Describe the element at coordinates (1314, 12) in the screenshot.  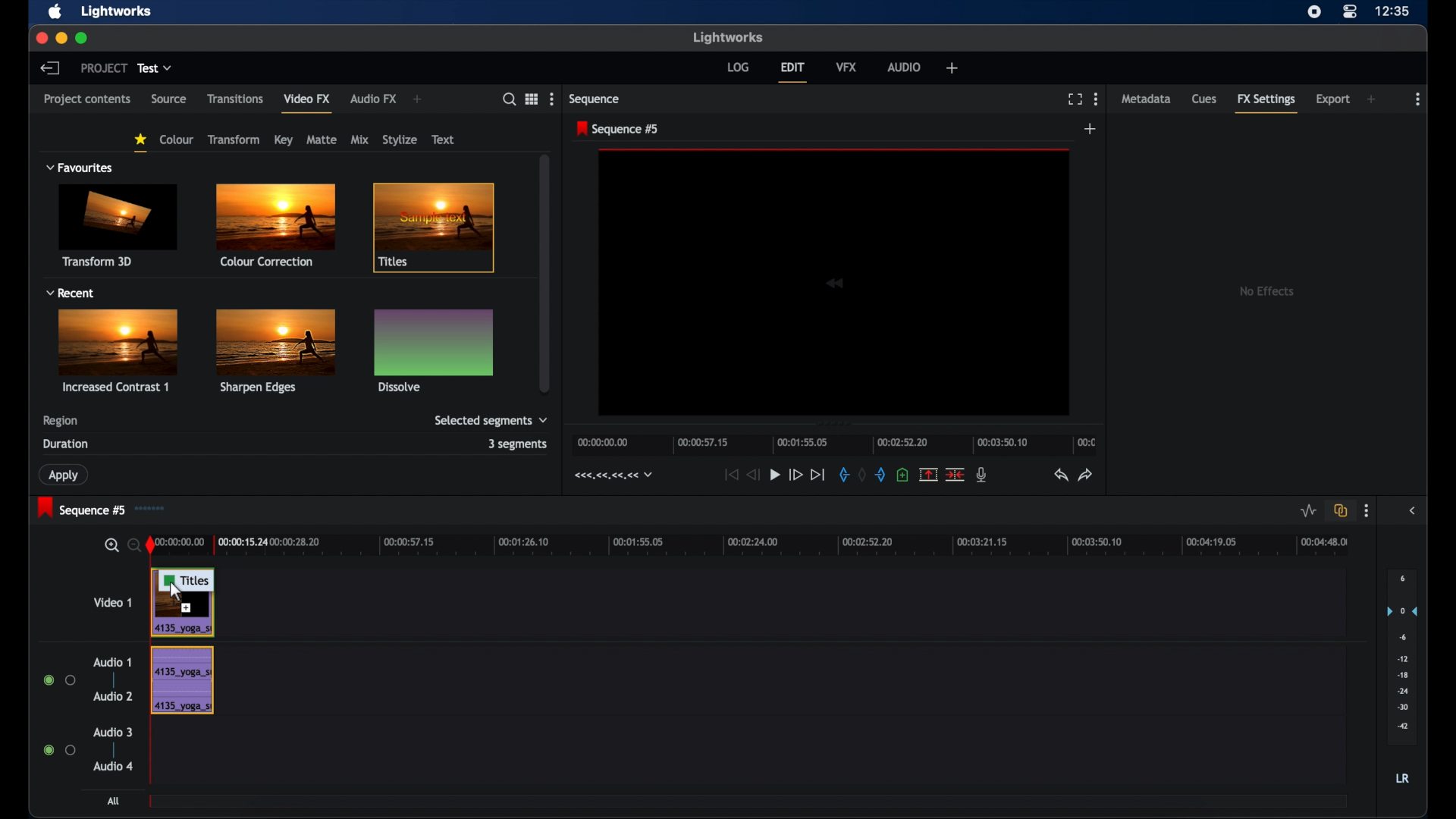
I see `screen recorder icon` at that location.